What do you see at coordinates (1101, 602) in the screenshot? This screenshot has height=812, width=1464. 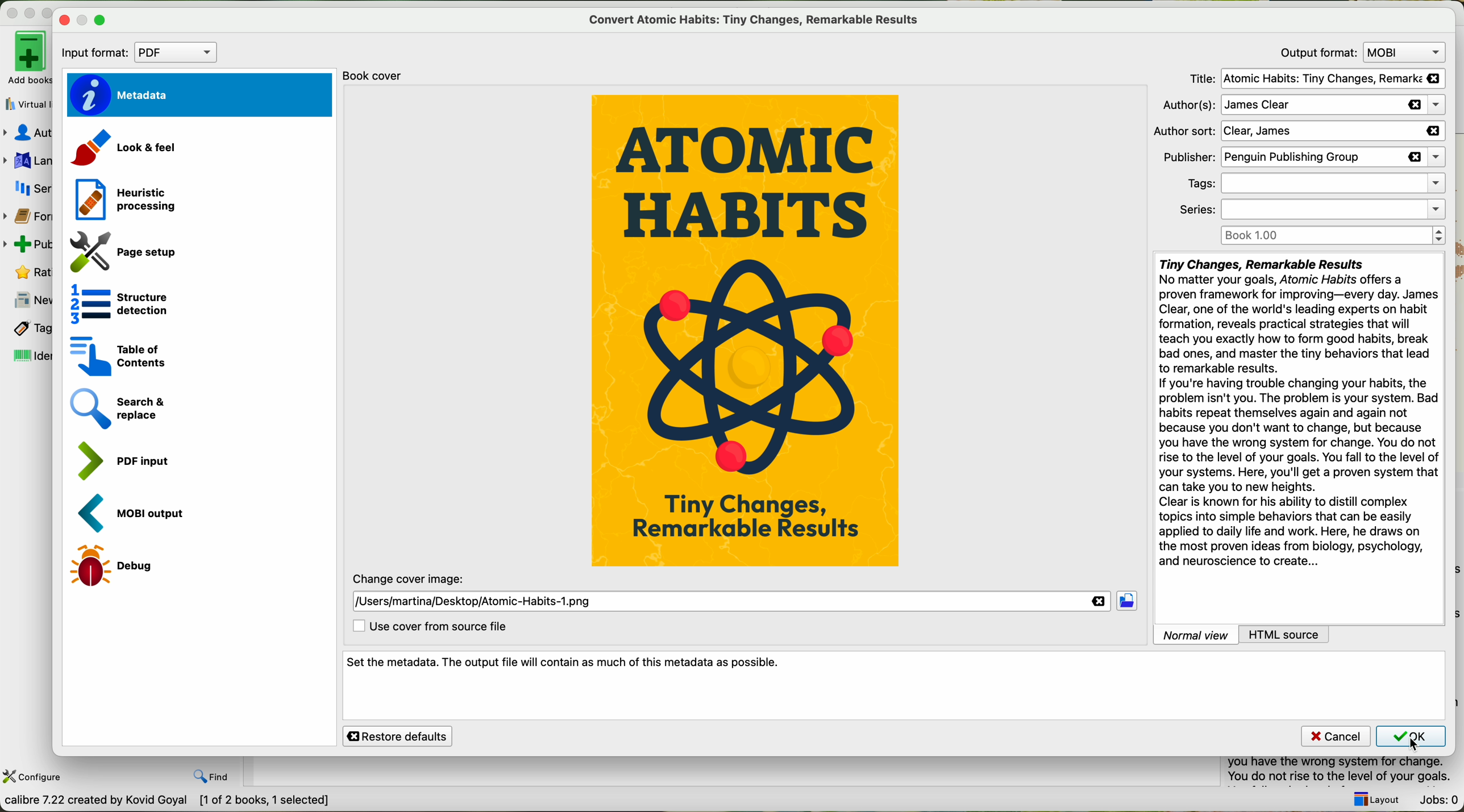 I see `delete` at bounding box center [1101, 602].